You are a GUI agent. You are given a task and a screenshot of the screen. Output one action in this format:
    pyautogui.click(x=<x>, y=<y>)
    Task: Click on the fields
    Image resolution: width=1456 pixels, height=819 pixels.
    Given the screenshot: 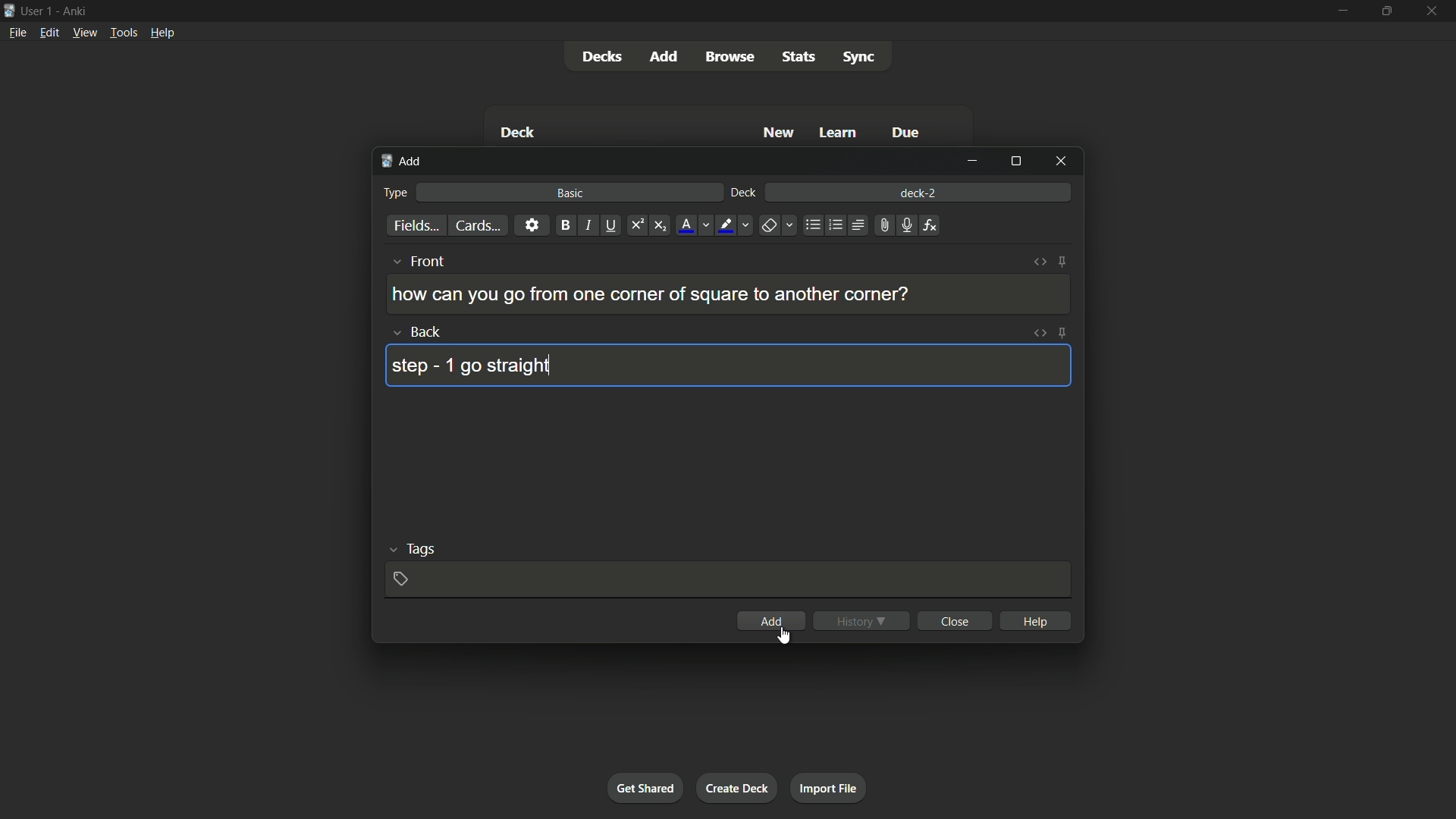 What is the action you would take?
    pyautogui.click(x=417, y=226)
    